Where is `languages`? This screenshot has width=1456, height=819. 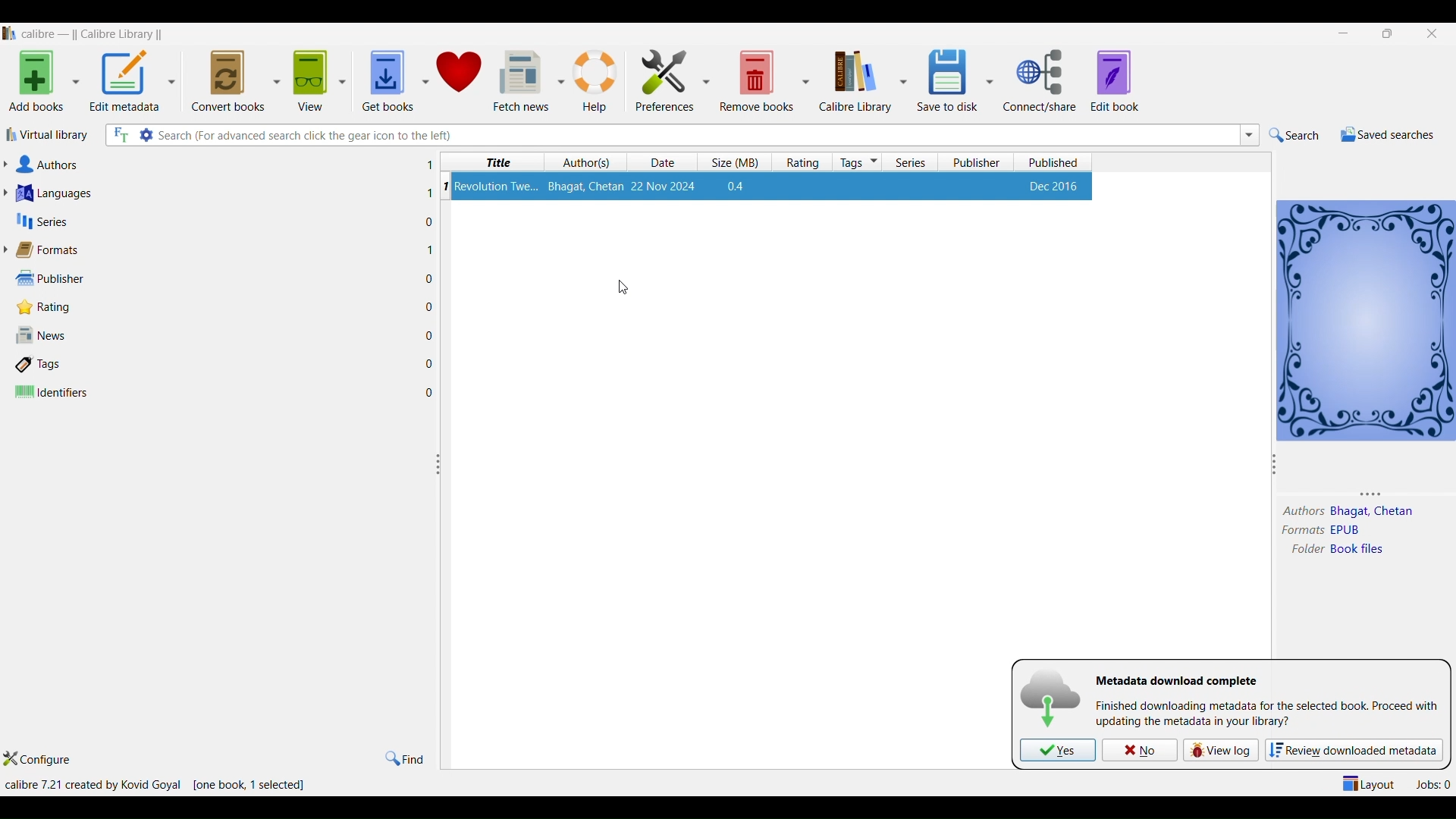
languages is located at coordinates (58, 193).